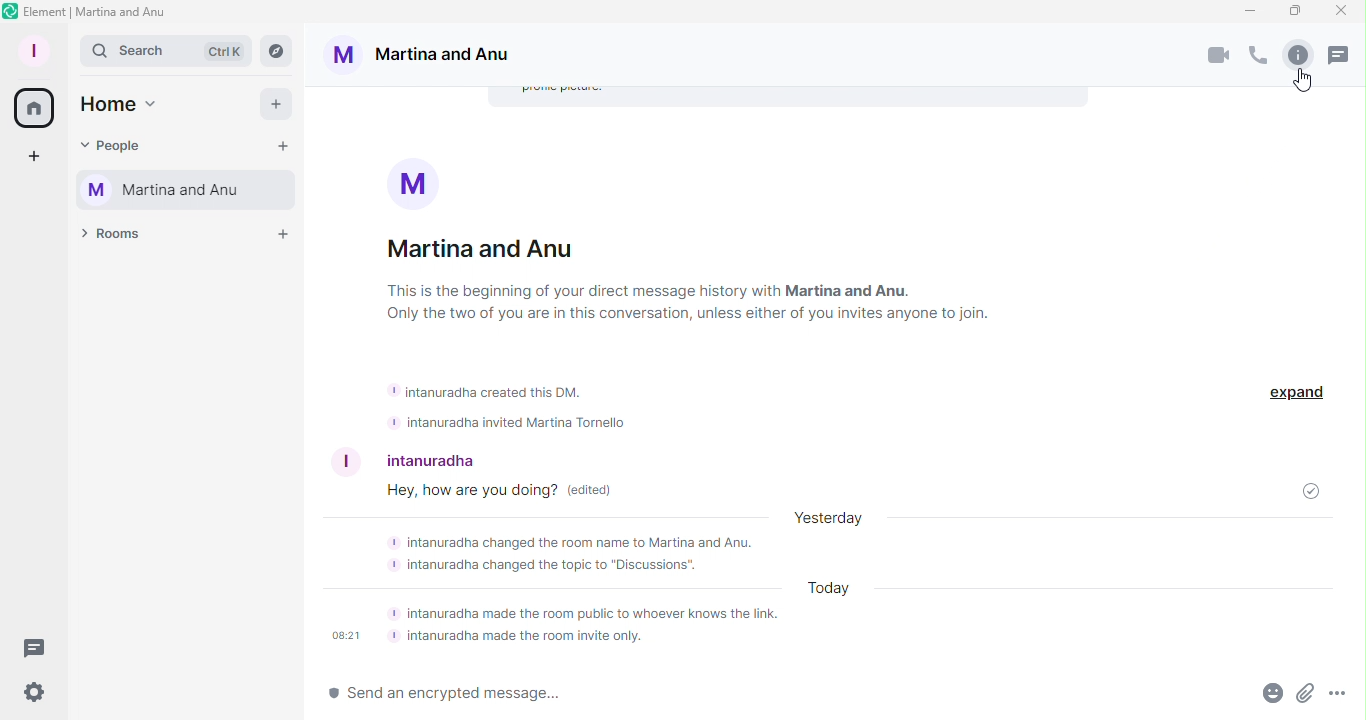  Describe the element at coordinates (434, 55) in the screenshot. I see `Martina and Anu` at that location.